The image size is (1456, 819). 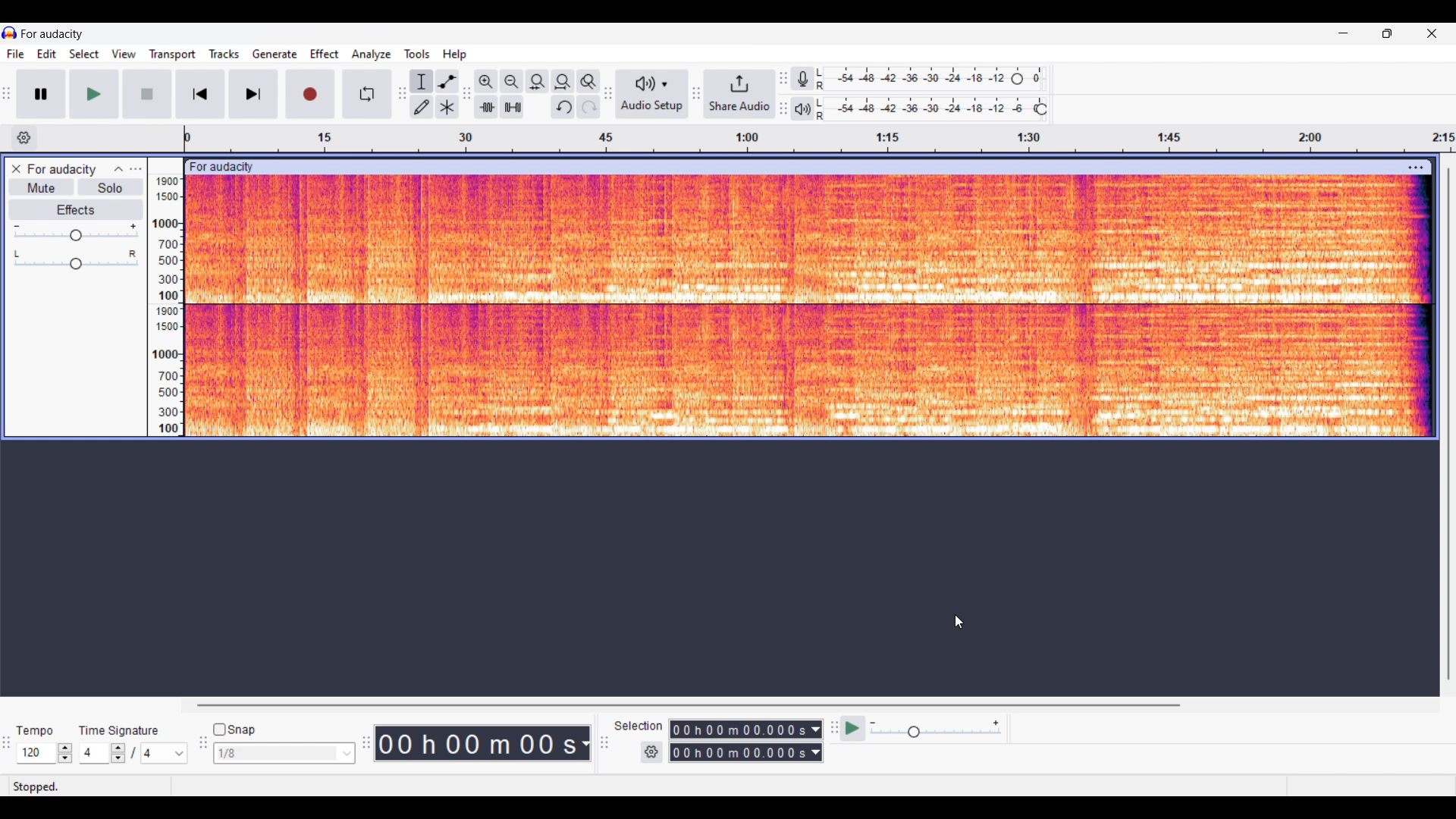 What do you see at coordinates (959, 622) in the screenshot?
I see `Cursor position unchanged` at bounding box center [959, 622].